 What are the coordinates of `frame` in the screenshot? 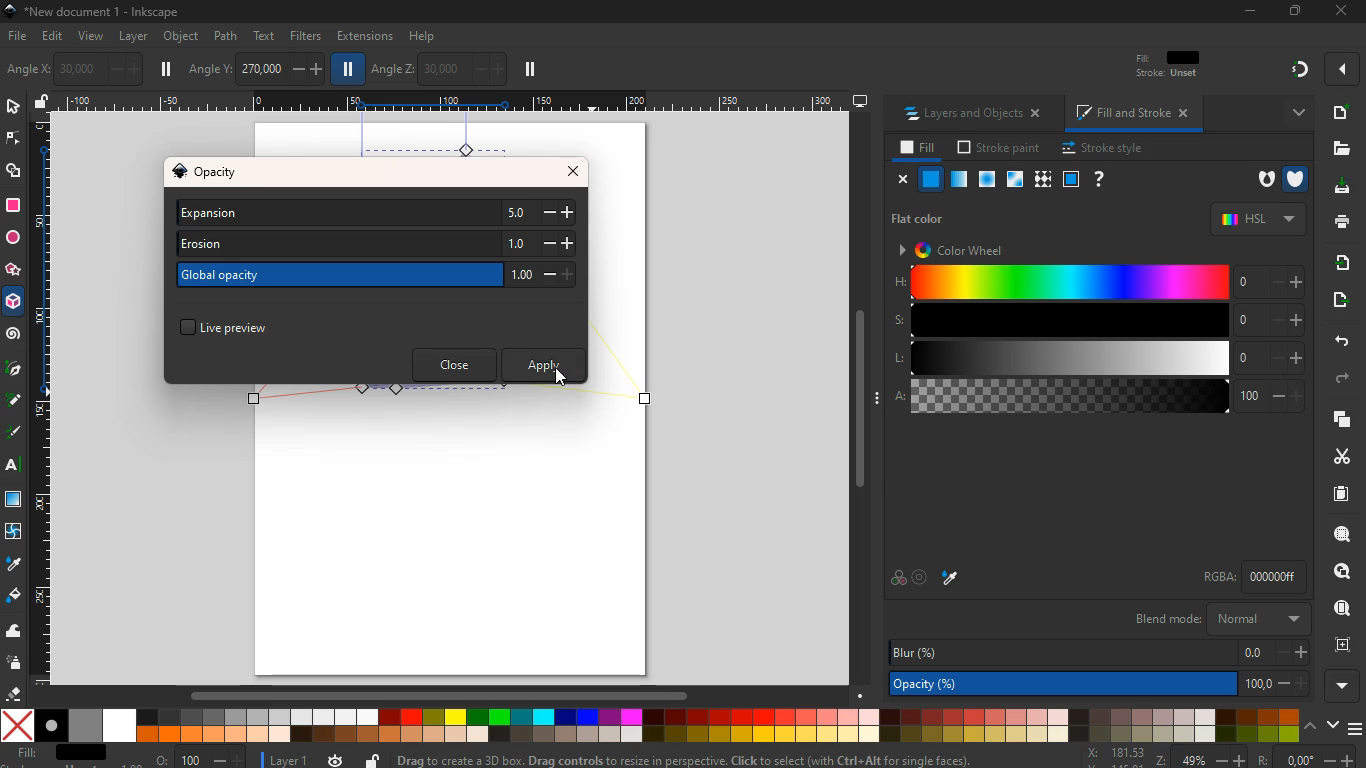 It's located at (1071, 179).